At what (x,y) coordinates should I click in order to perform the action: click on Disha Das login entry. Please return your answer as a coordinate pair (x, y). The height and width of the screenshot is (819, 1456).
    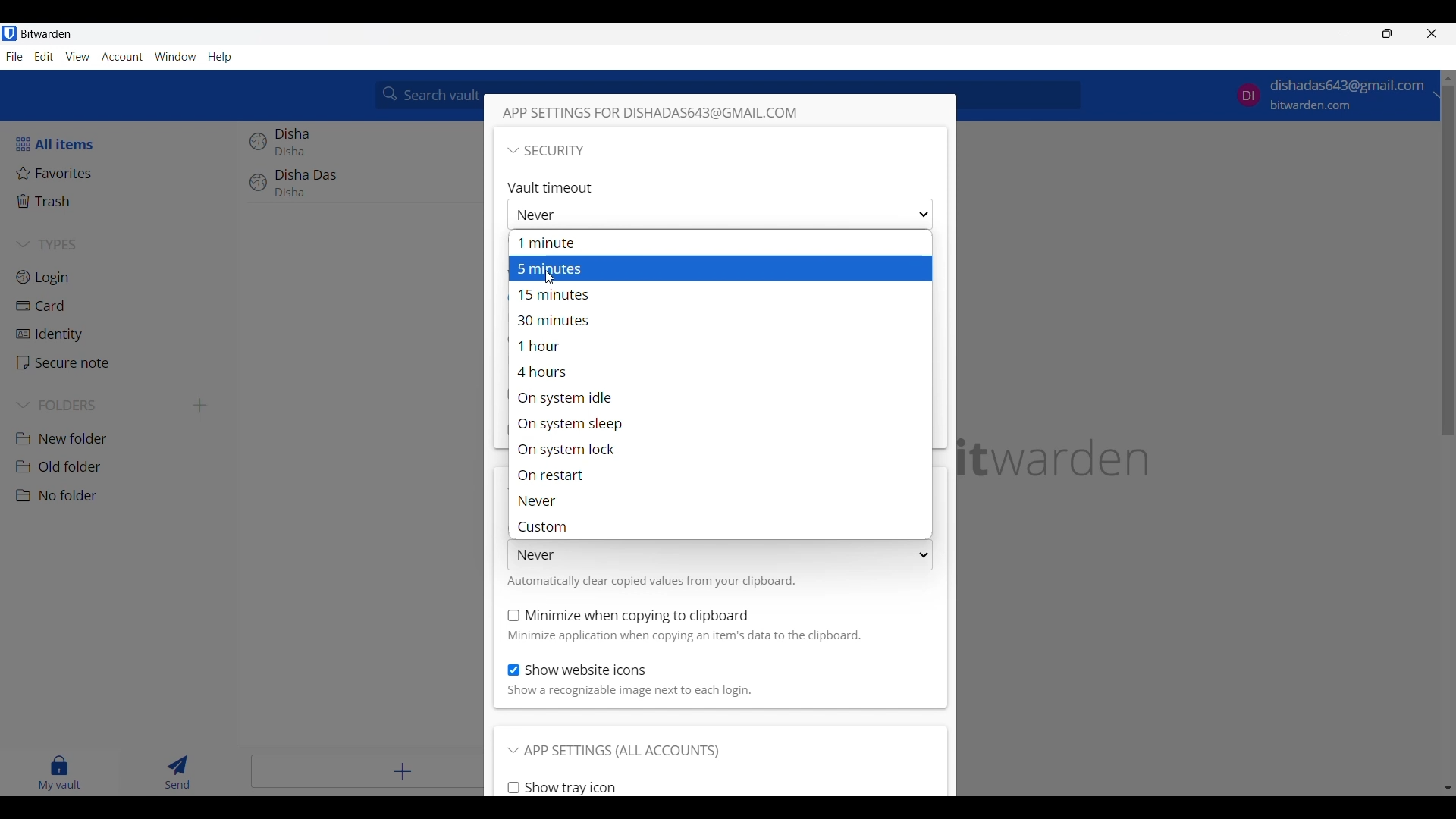
    Looking at the image, I should click on (362, 190).